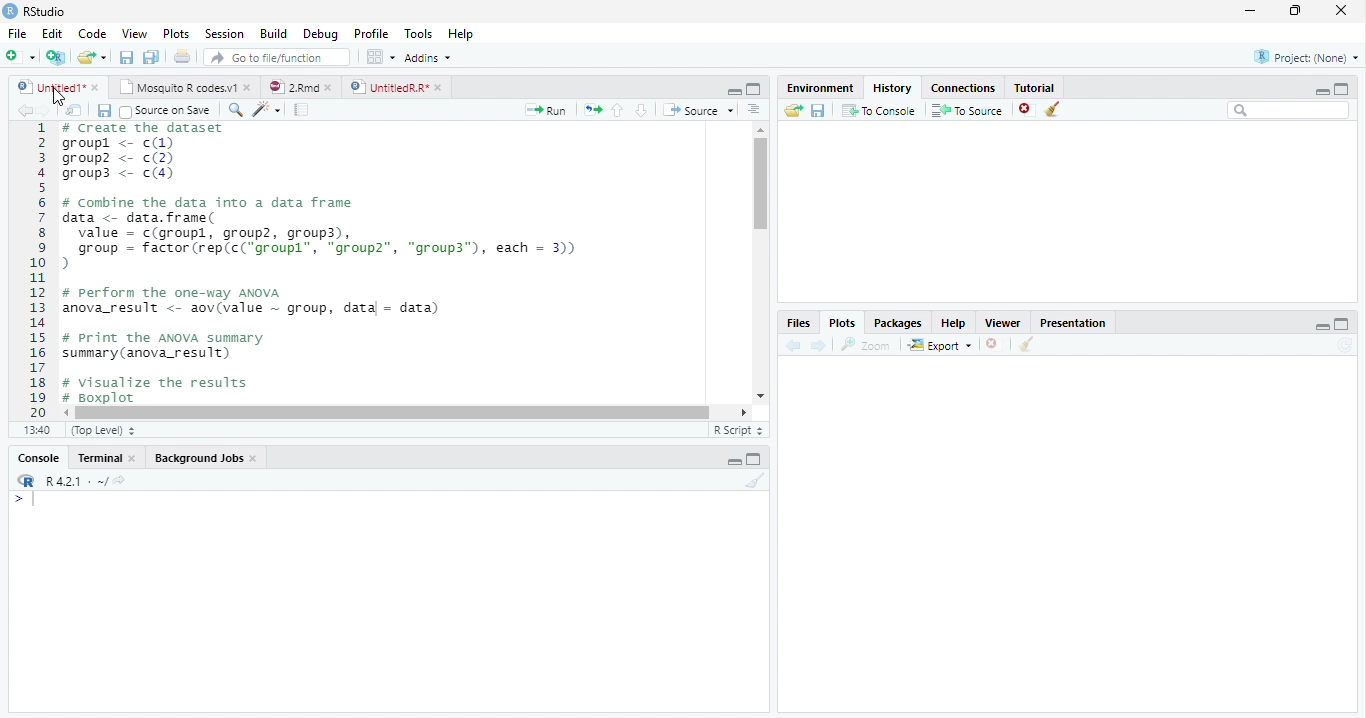 The height and width of the screenshot is (718, 1366). Describe the element at coordinates (1081, 321) in the screenshot. I see `Presentation` at that location.